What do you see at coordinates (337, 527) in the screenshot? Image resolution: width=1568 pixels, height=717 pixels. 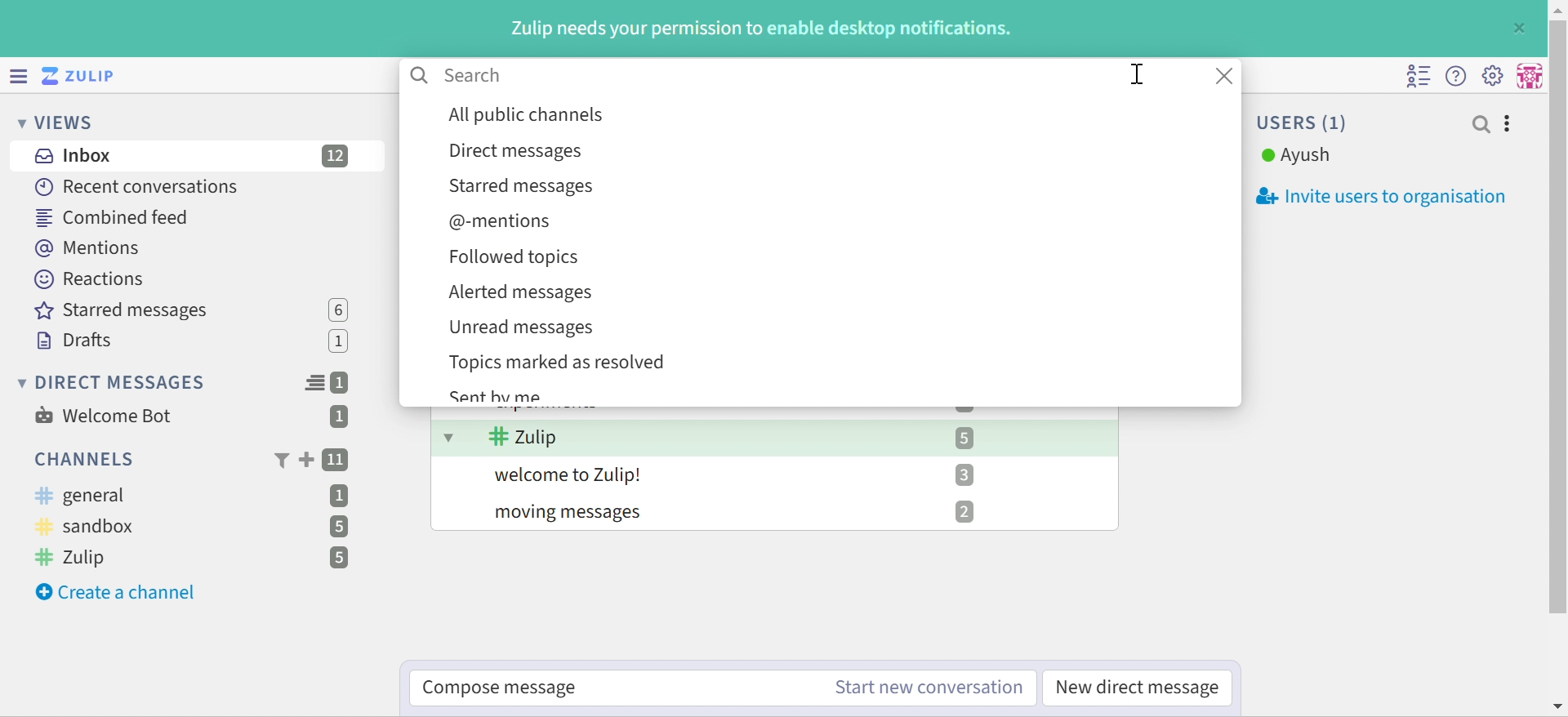 I see `5` at bounding box center [337, 527].